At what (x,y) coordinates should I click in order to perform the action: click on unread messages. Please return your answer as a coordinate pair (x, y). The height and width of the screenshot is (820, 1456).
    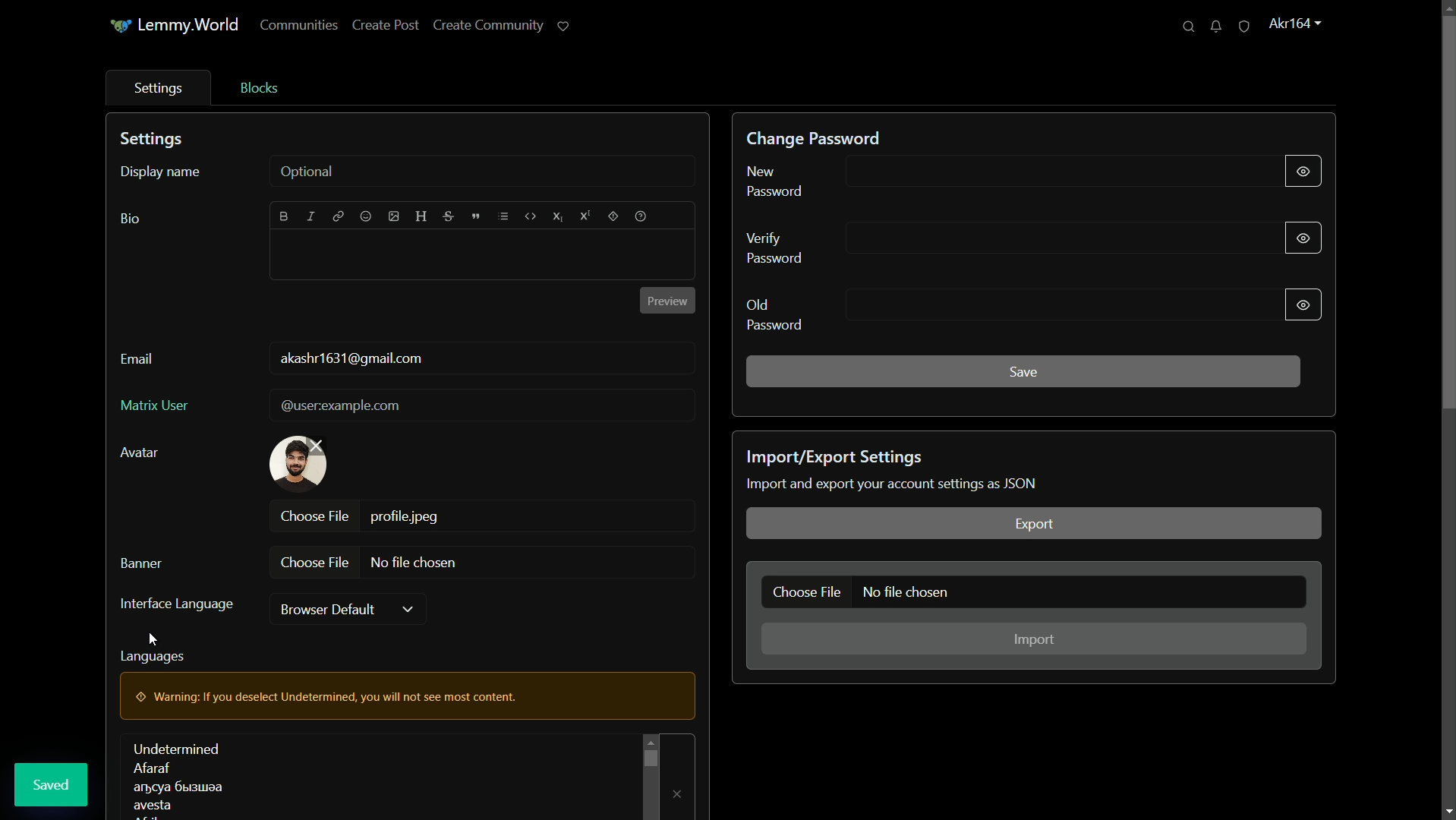
    Looking at the image, I should click on (1215, 27).